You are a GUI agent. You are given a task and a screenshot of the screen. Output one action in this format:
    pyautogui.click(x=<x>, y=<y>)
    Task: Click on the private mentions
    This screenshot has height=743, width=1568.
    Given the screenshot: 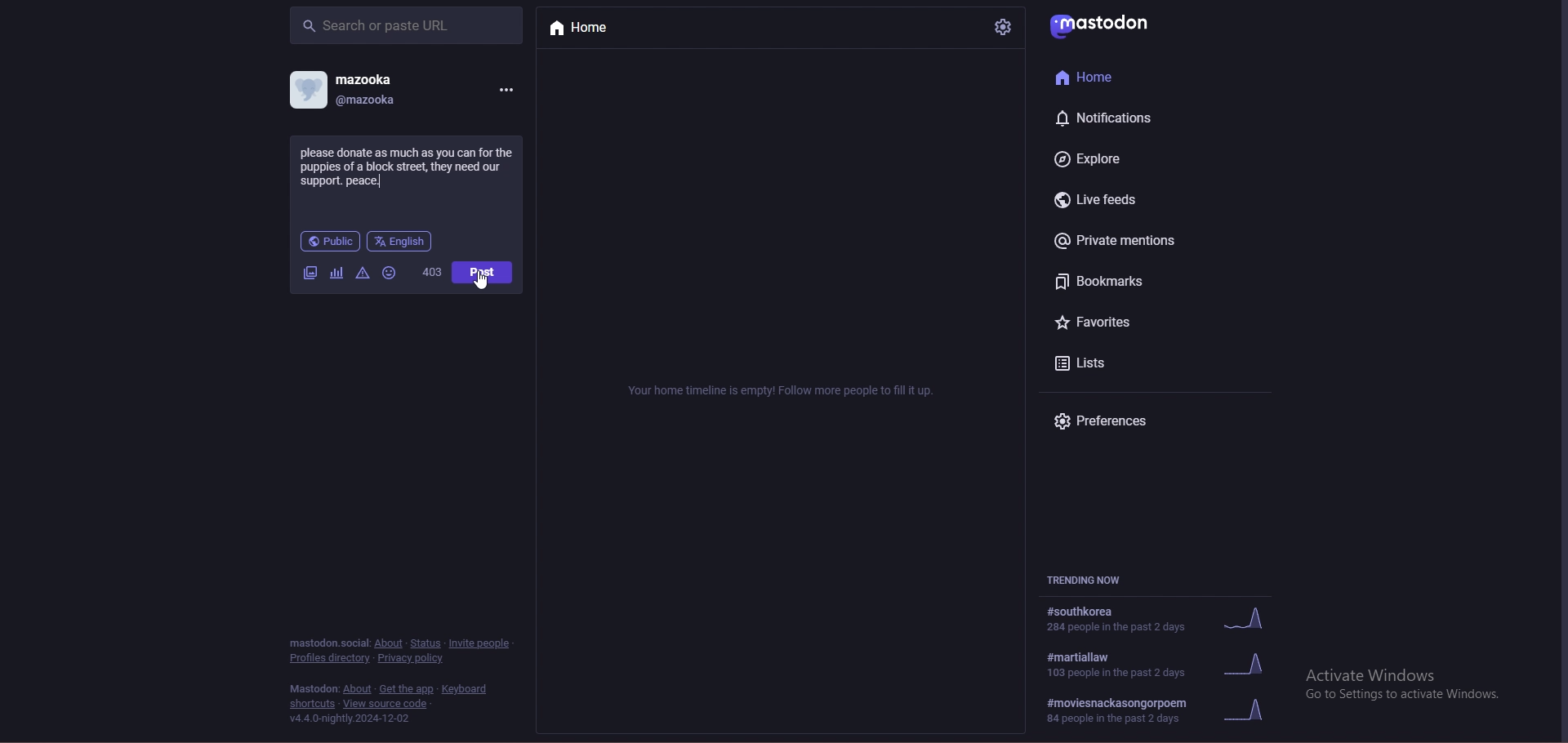 What is the action you would take?
    pyautogui.click(x=1136, y=242)
    